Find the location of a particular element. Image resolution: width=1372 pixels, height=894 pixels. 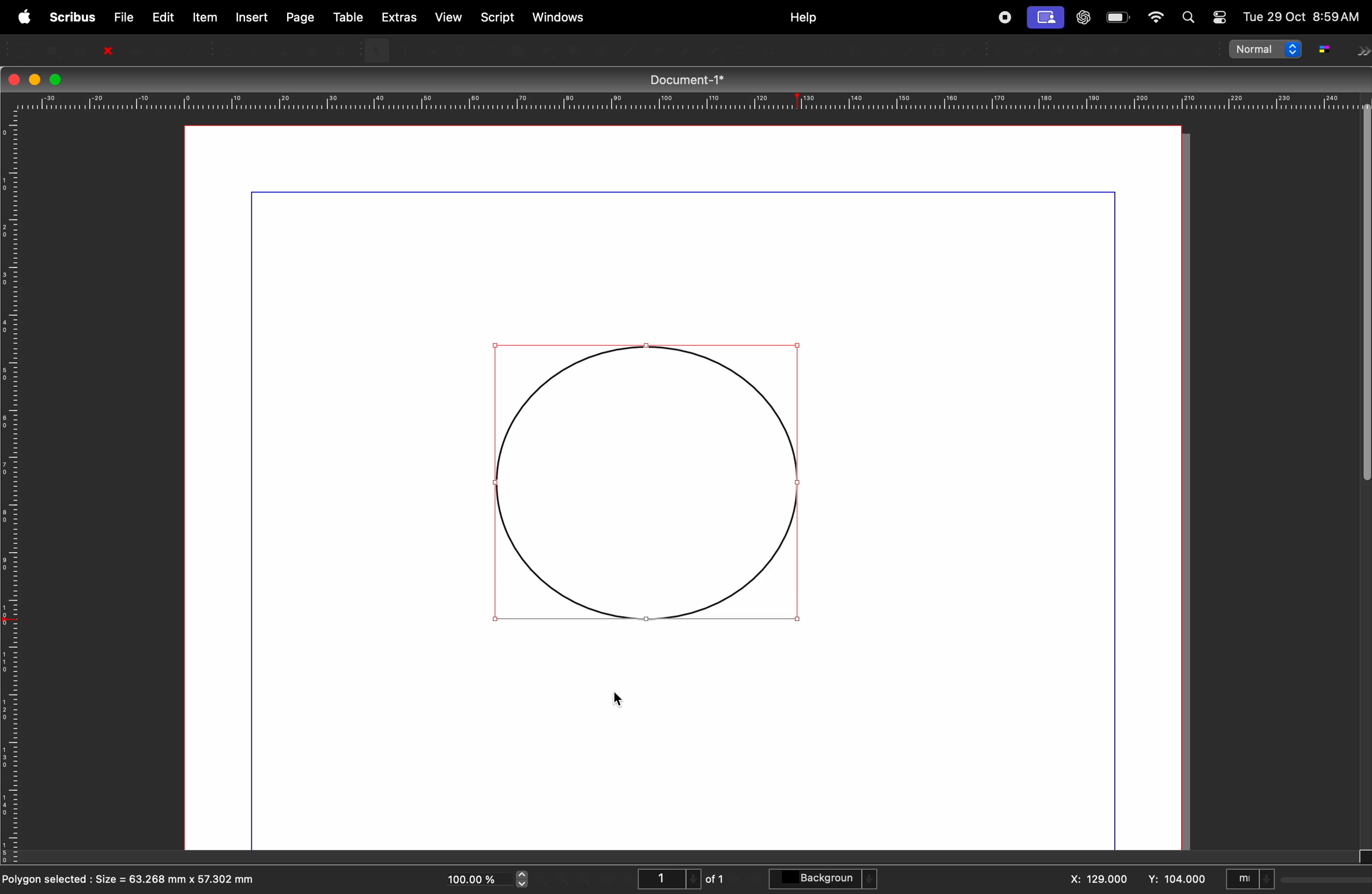

Tue 29 Oct 8:59AM is located at coordinates (1301, 18).